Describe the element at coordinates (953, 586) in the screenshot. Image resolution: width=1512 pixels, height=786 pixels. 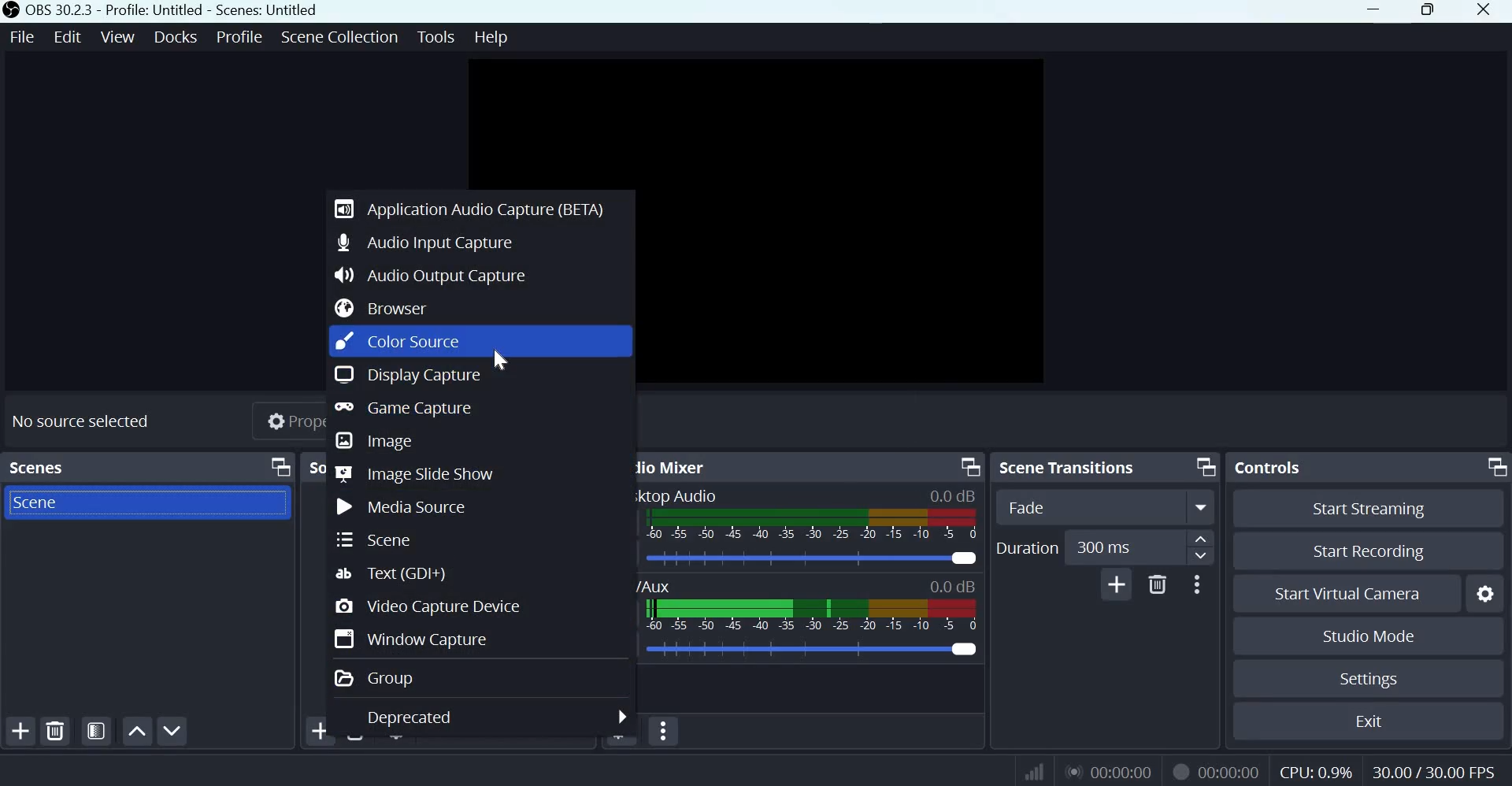
I see `Audio Level Indicator` at that location.